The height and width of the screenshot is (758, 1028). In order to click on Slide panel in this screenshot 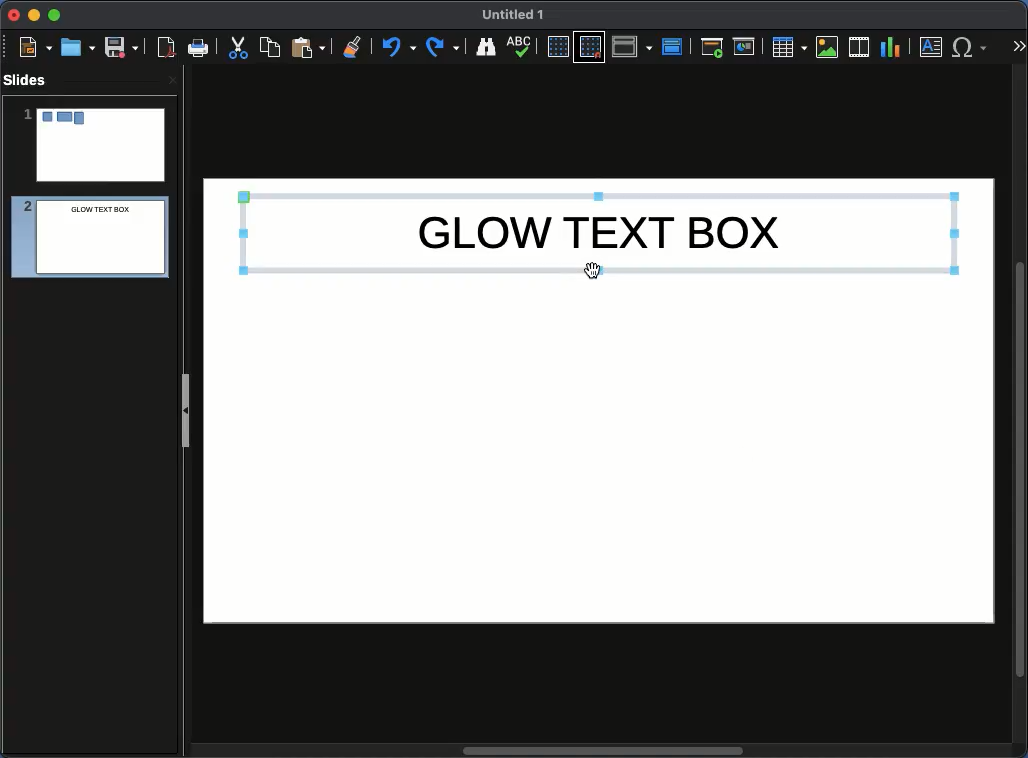, I will do `click(185, 410)`.